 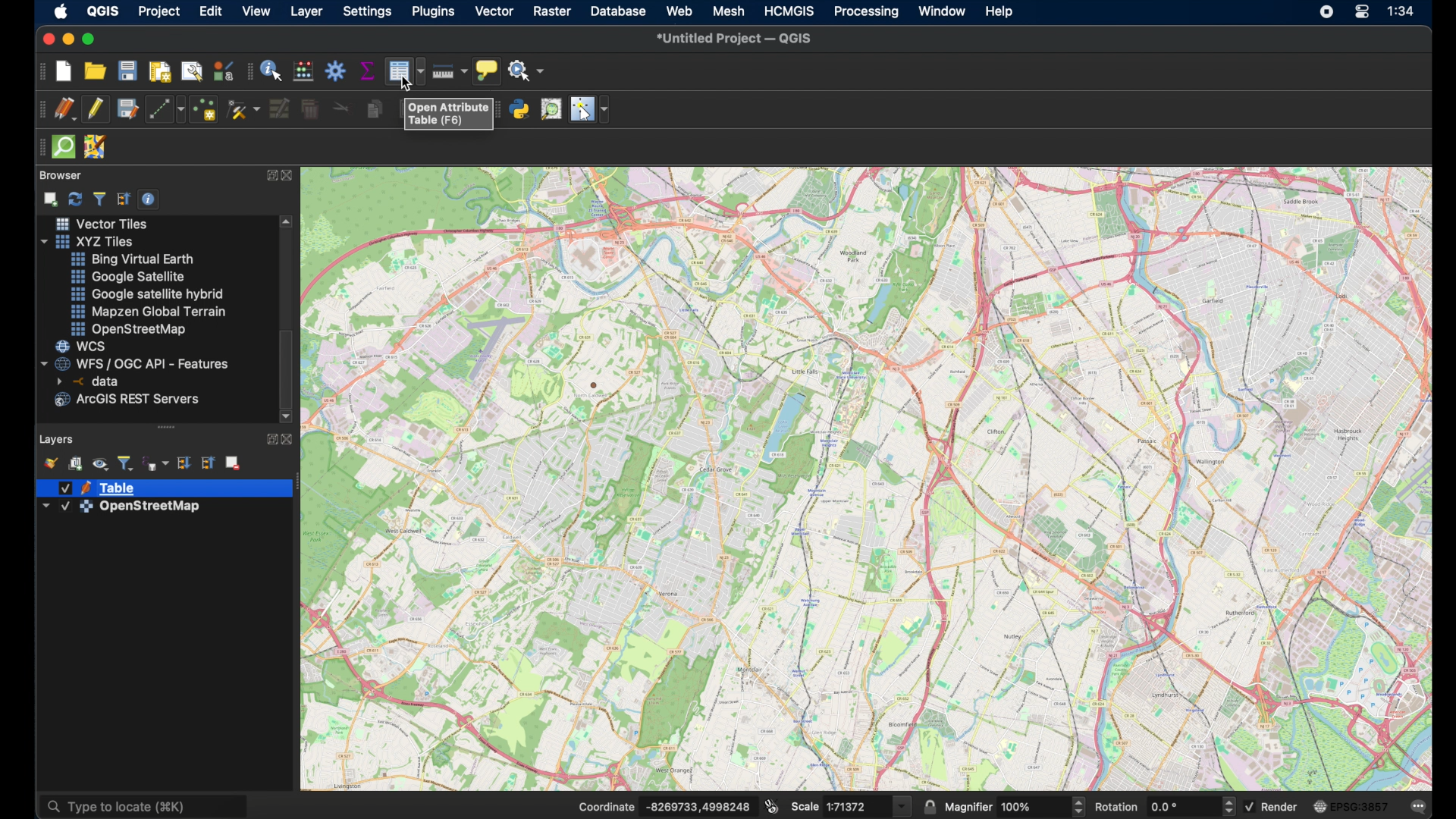 I want to click on increase or decrease rotation value, so click(x=1231, y=805).